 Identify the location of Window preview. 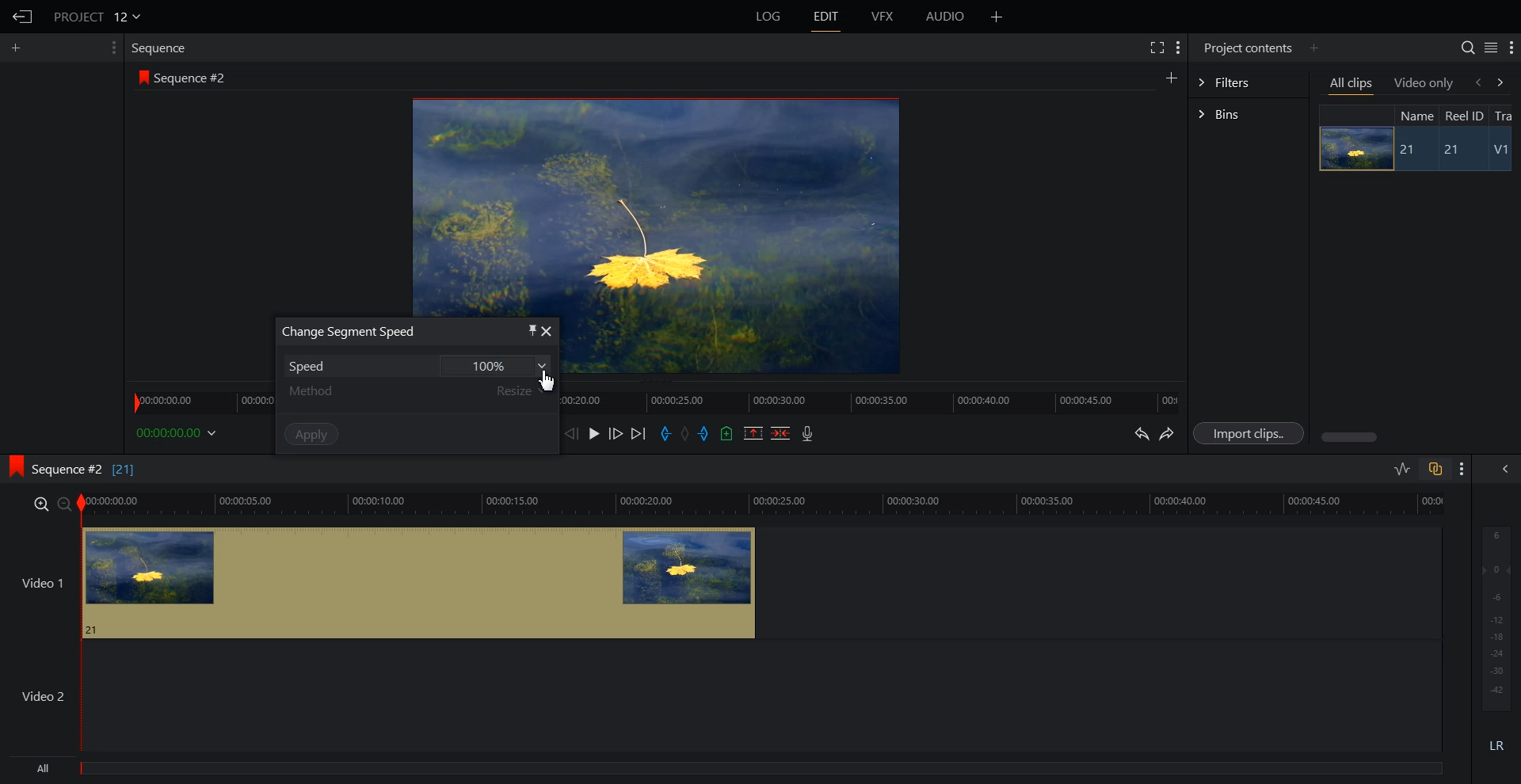
(651, 202).